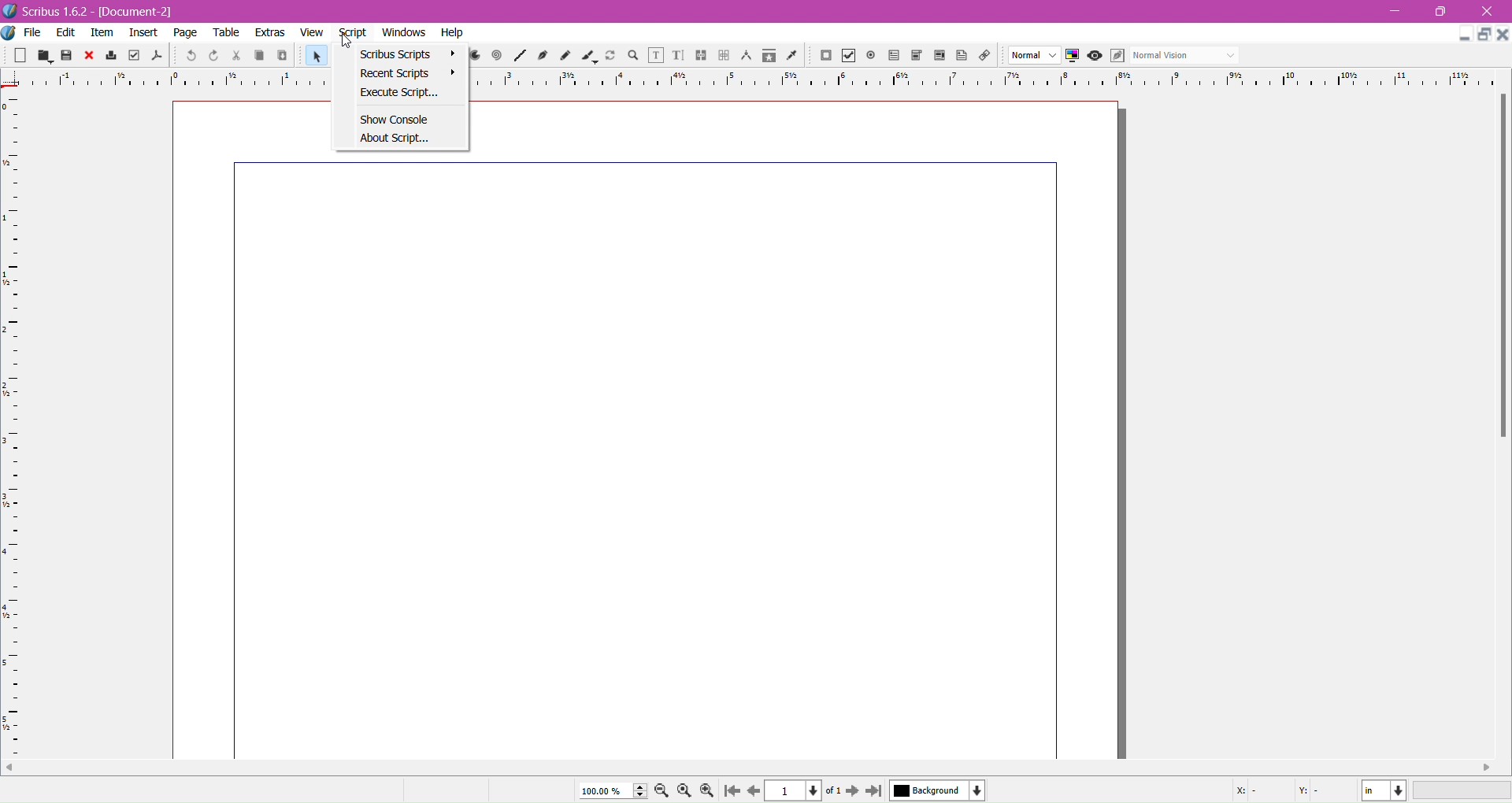 The image size is (1512, 803). Describe the element at coordinates (283, 56) in the screenshot. I see `Paste` at that location.